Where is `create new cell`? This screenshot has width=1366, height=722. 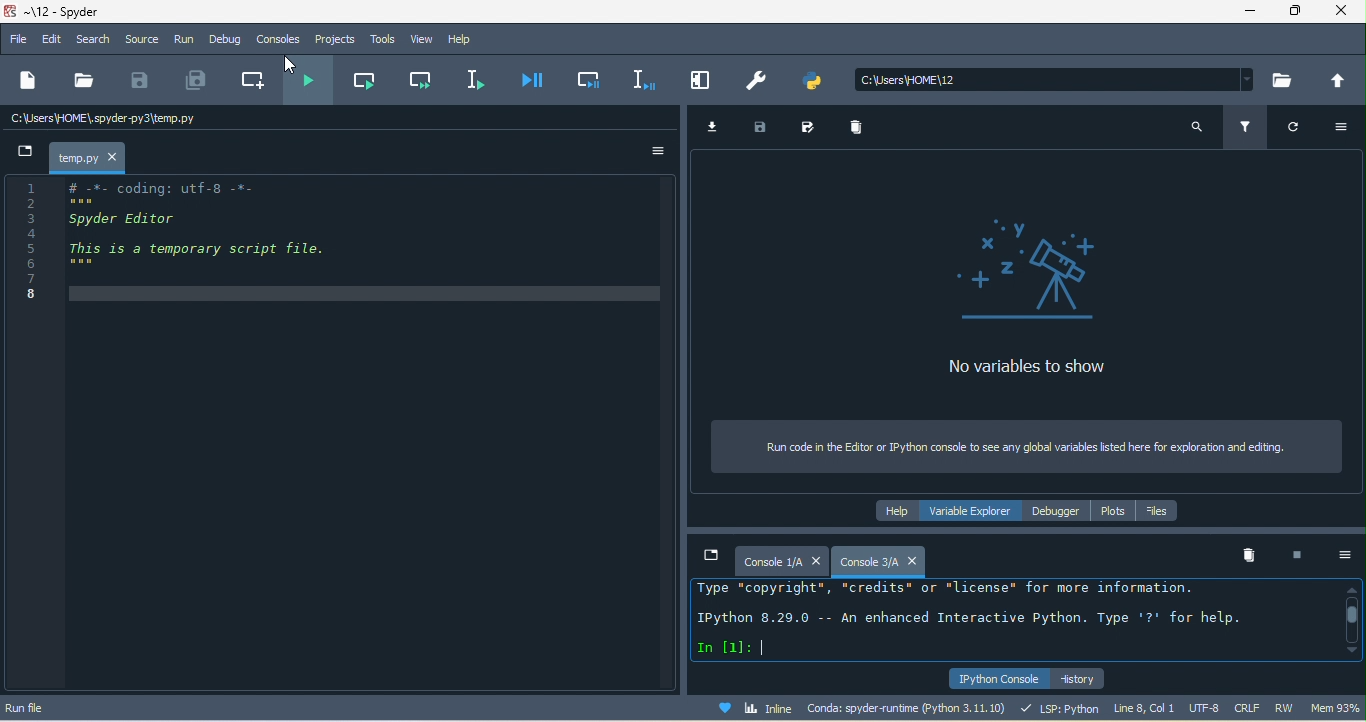
create new cell is located at coordinates (252, 81).